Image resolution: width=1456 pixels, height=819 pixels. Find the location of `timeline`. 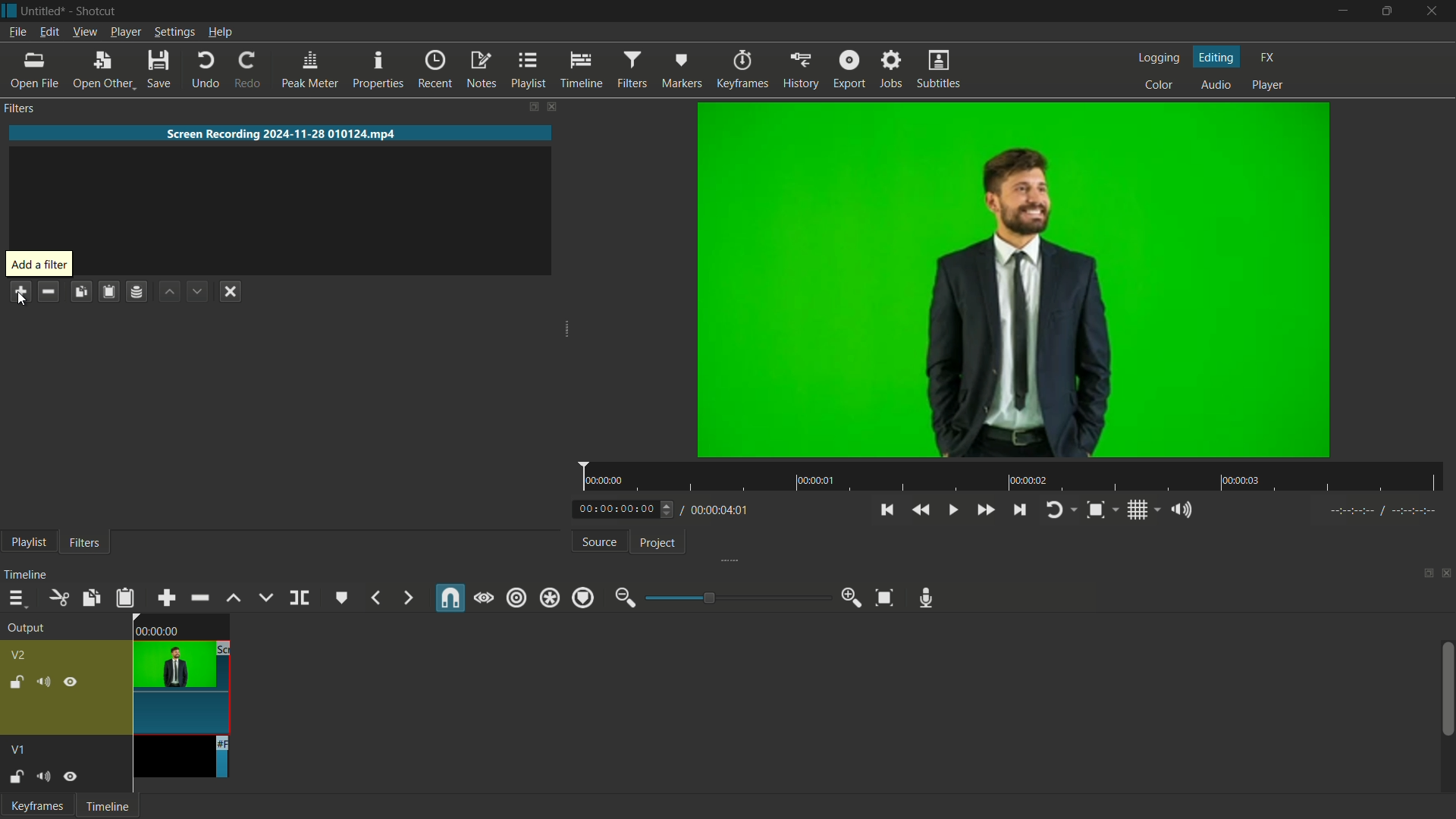

timeline is located at coordinates (581, 71).